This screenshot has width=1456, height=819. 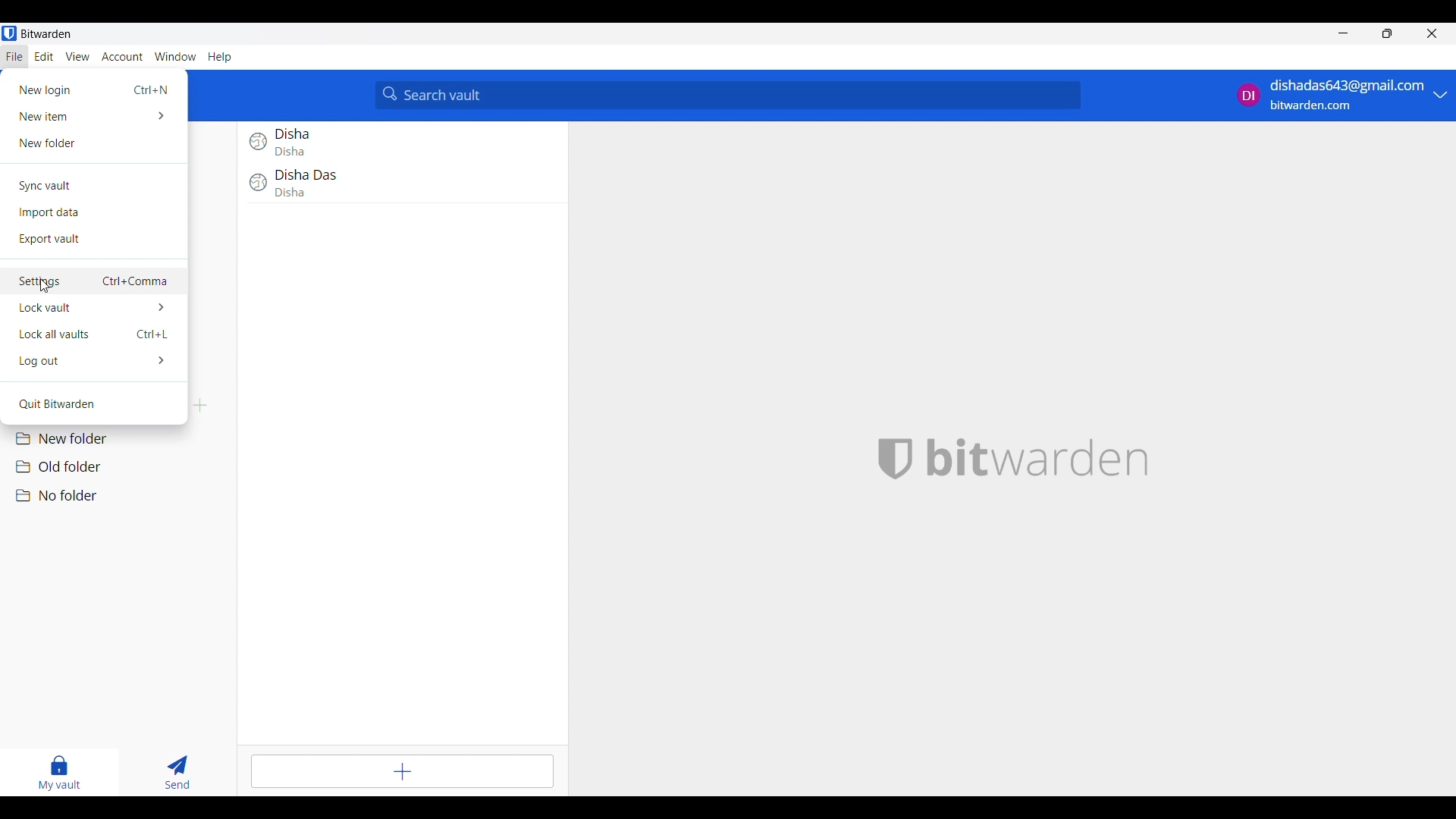 What do you see at coordinates (91, 90) in the screenshot?
I see `New login` at bounding box center [91, 90].